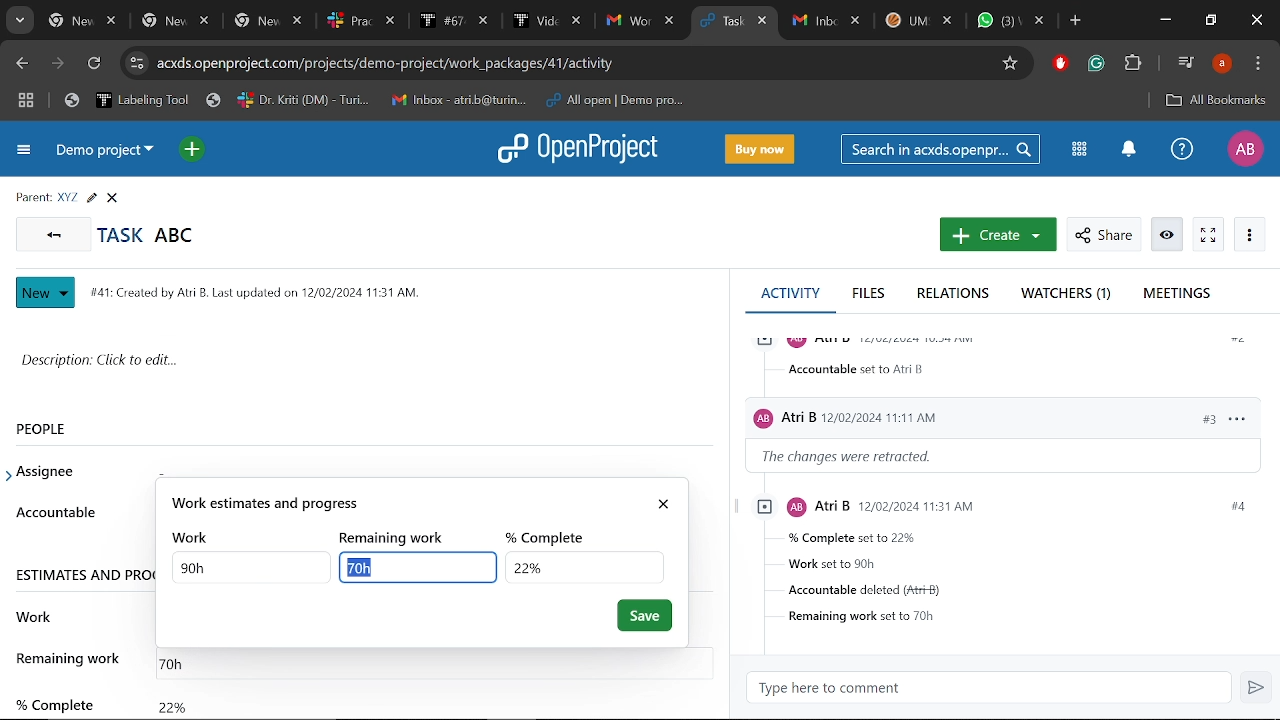  I want to click on Space for writting description, so click(366, 364).